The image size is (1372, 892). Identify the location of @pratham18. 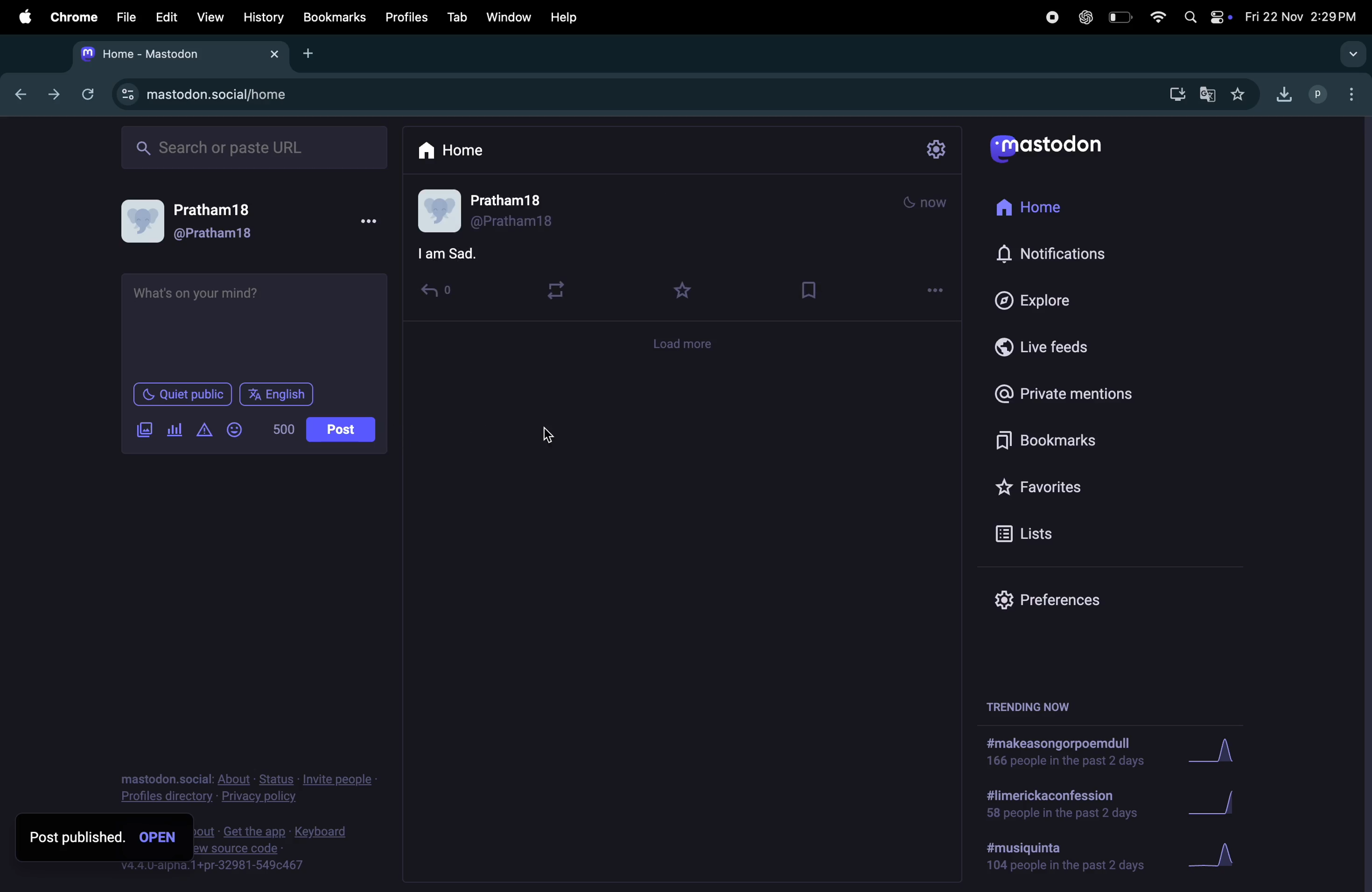
(217, 235).